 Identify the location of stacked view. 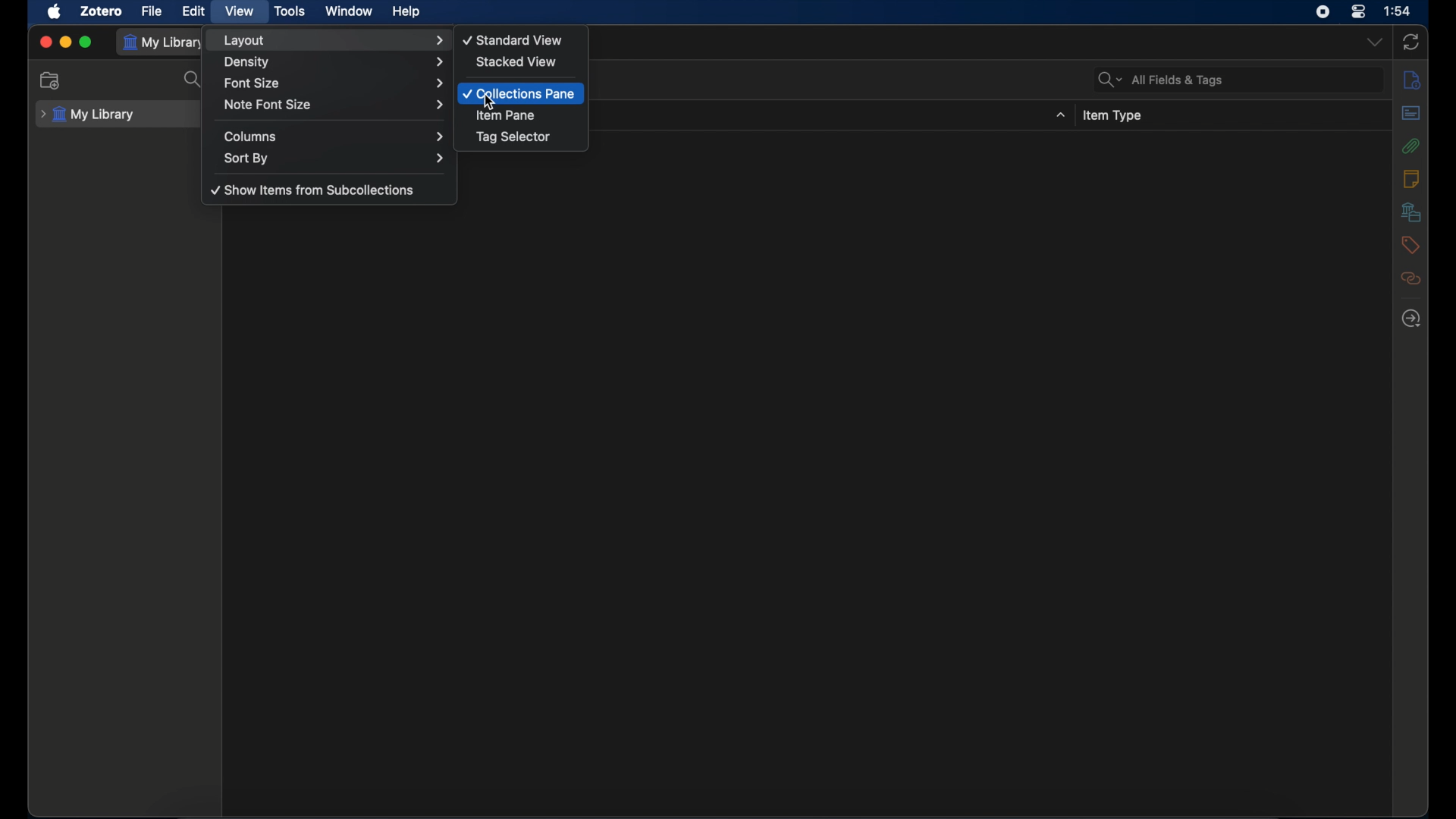
(517, 61).